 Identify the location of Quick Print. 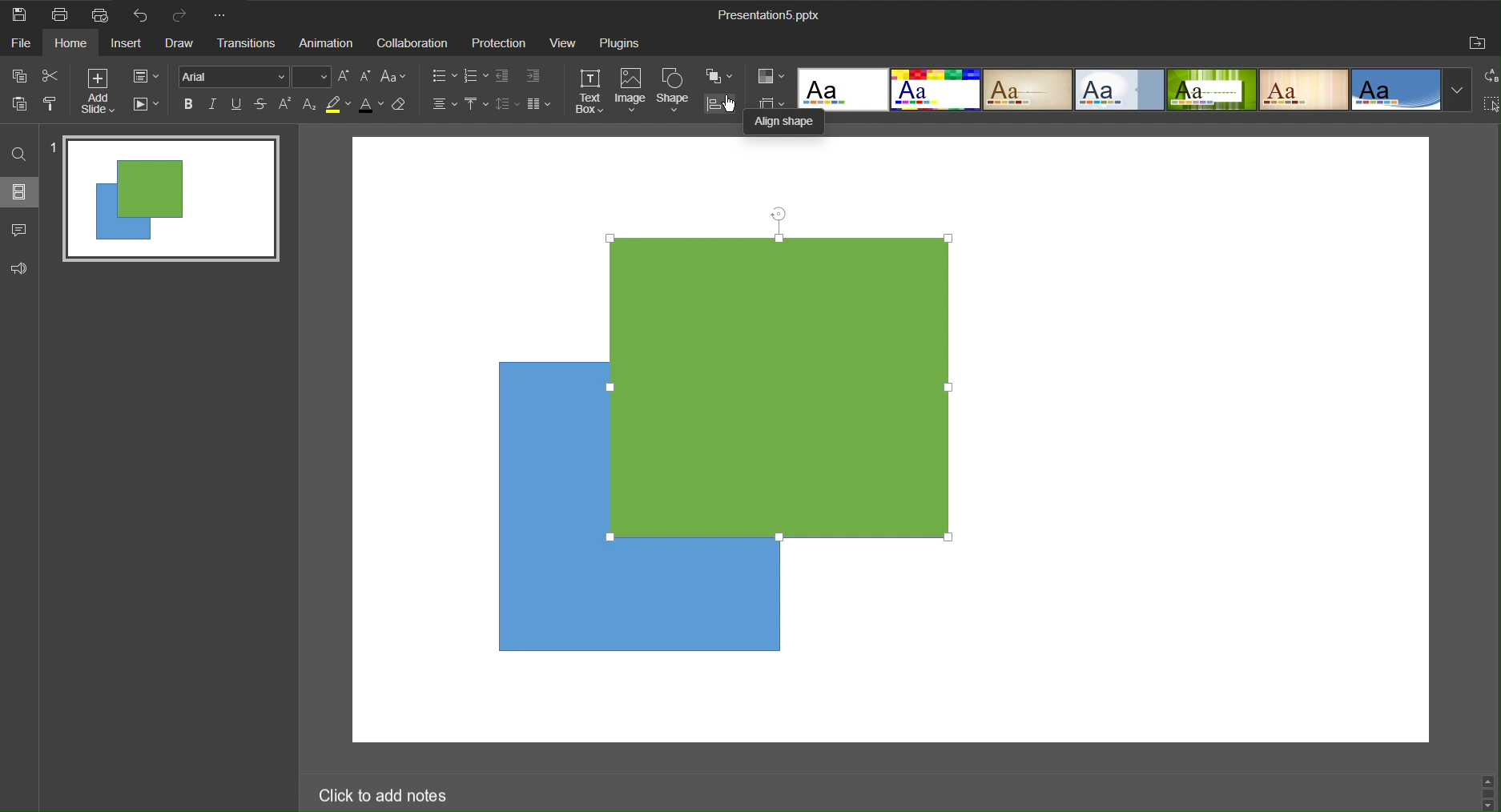
(107, 14).